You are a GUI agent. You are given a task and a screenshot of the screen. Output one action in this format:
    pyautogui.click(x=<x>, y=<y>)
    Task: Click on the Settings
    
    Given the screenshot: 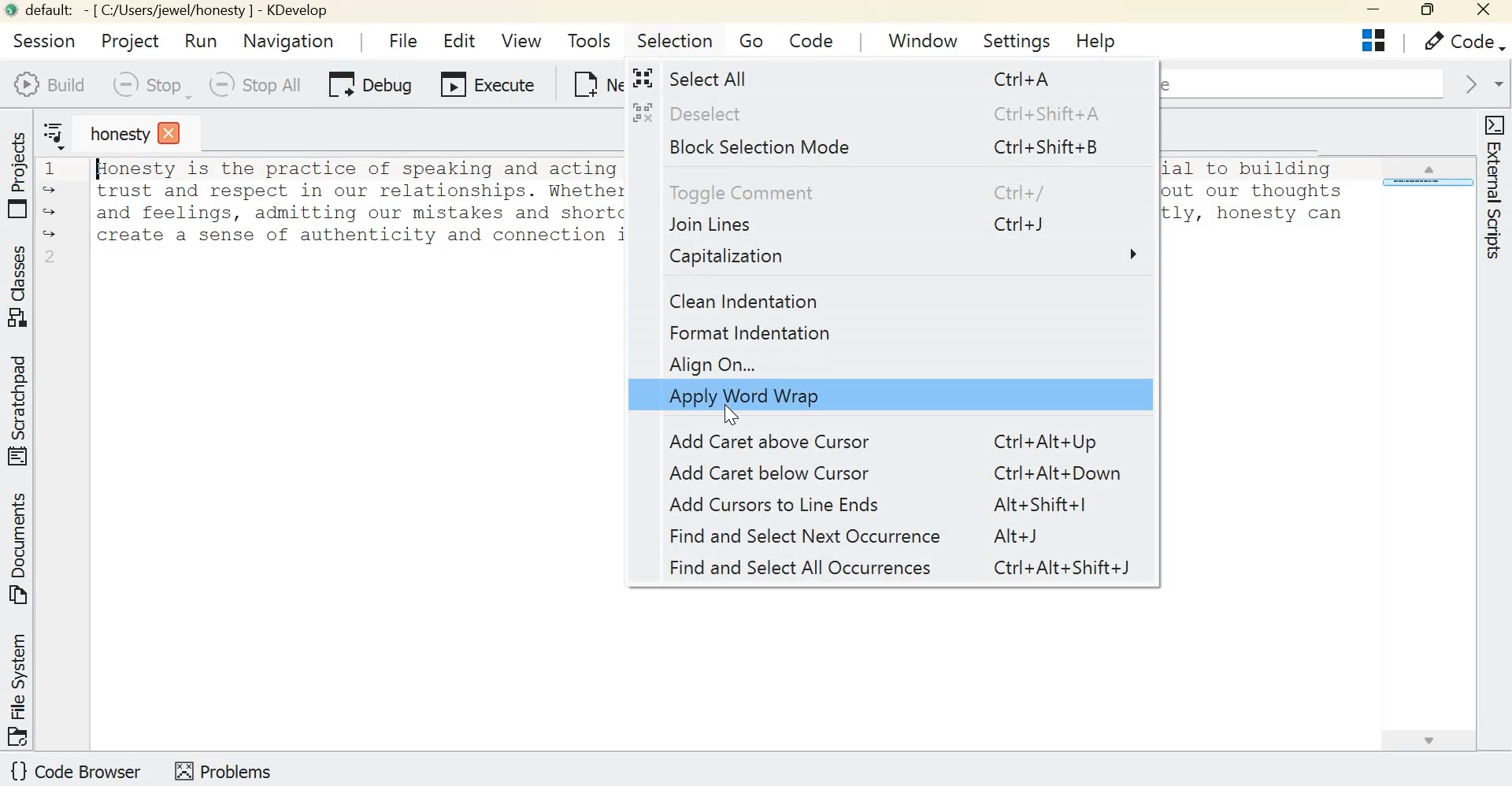 What is the action you would take?
    pyautogui.click(x=1018, y=39)
    